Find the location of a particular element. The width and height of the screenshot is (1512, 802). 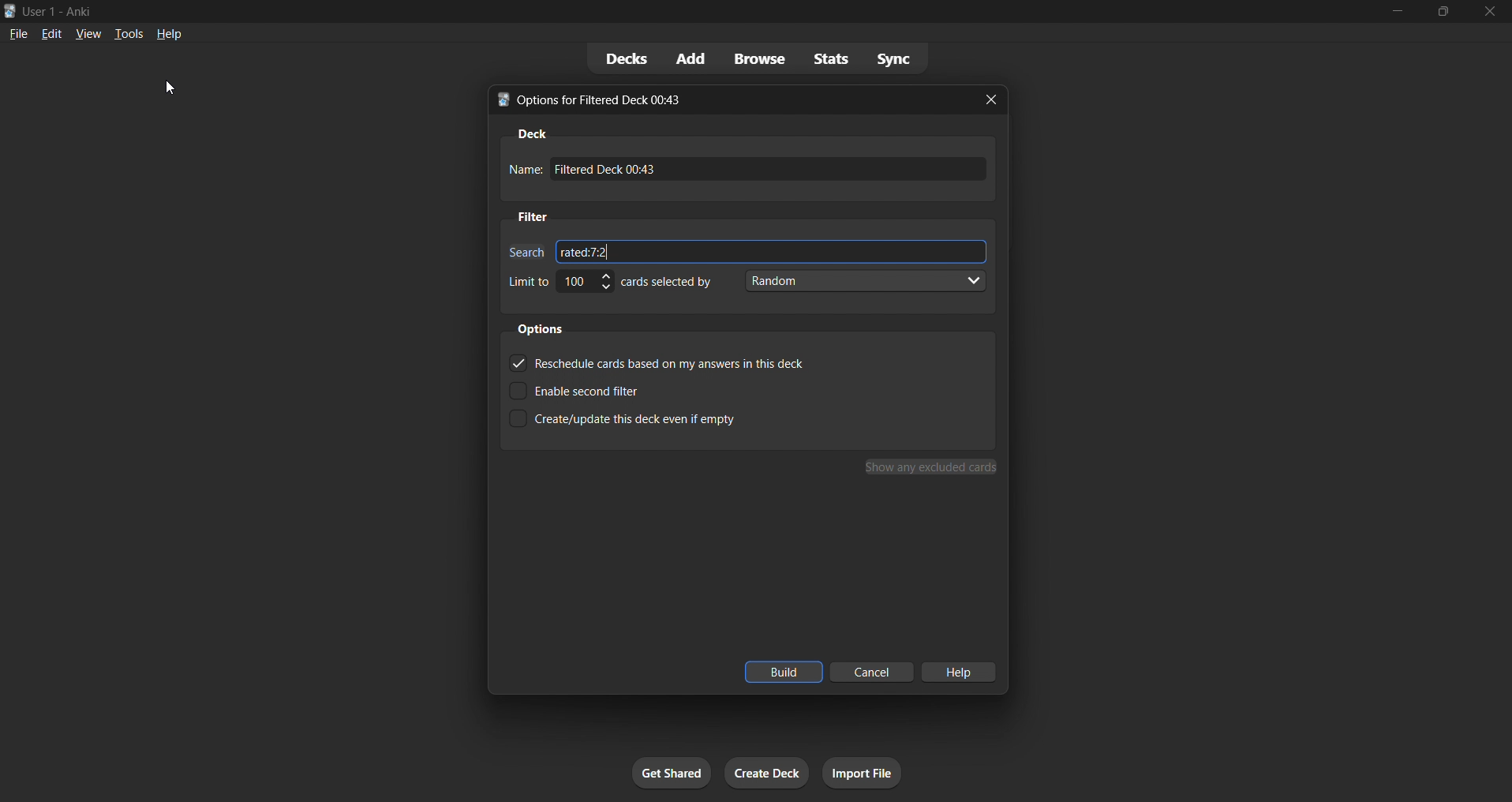

cursor is located at coordinates (174, 92).